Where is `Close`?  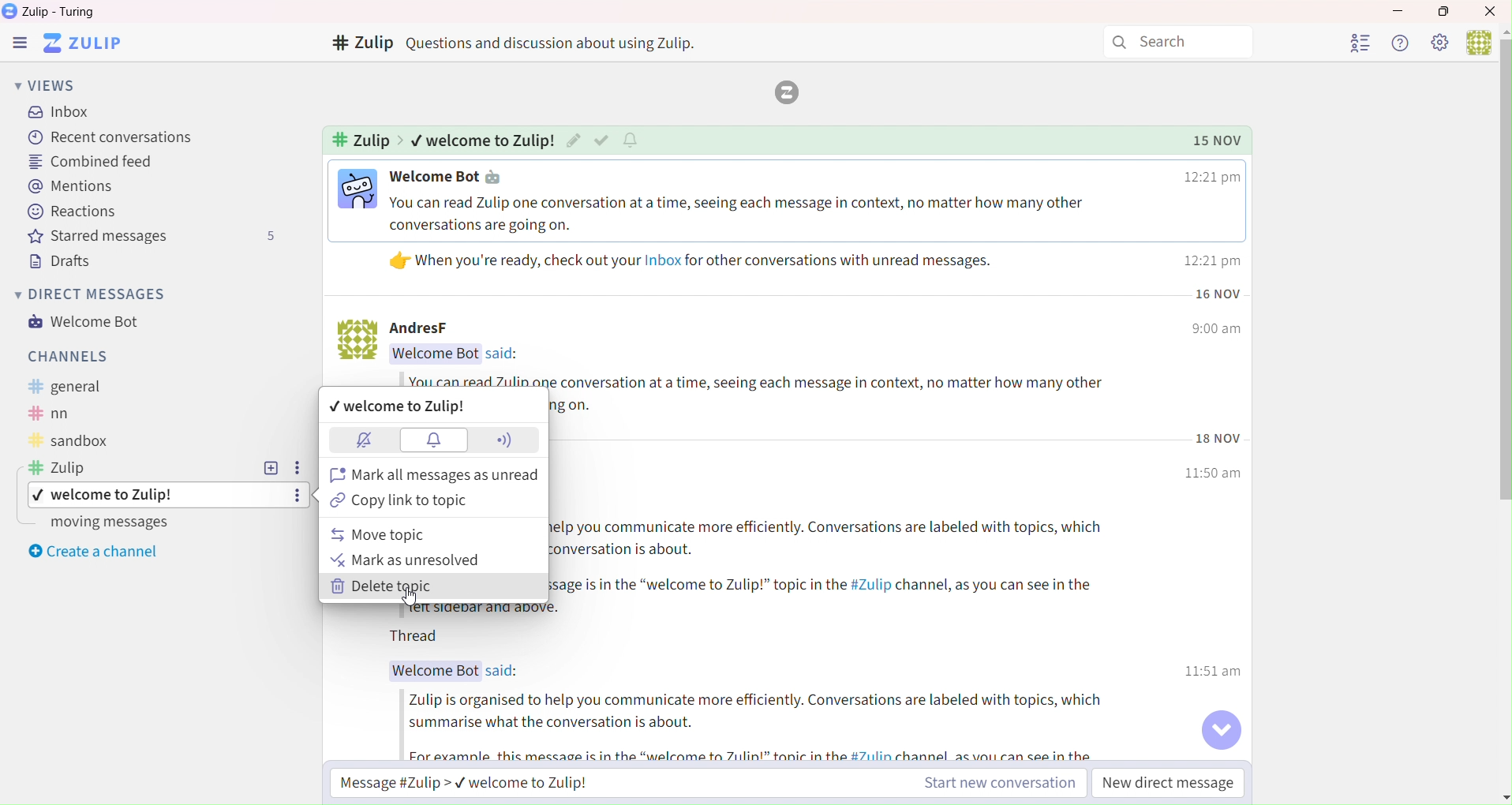 Close is located at coordinates (1489, 12).